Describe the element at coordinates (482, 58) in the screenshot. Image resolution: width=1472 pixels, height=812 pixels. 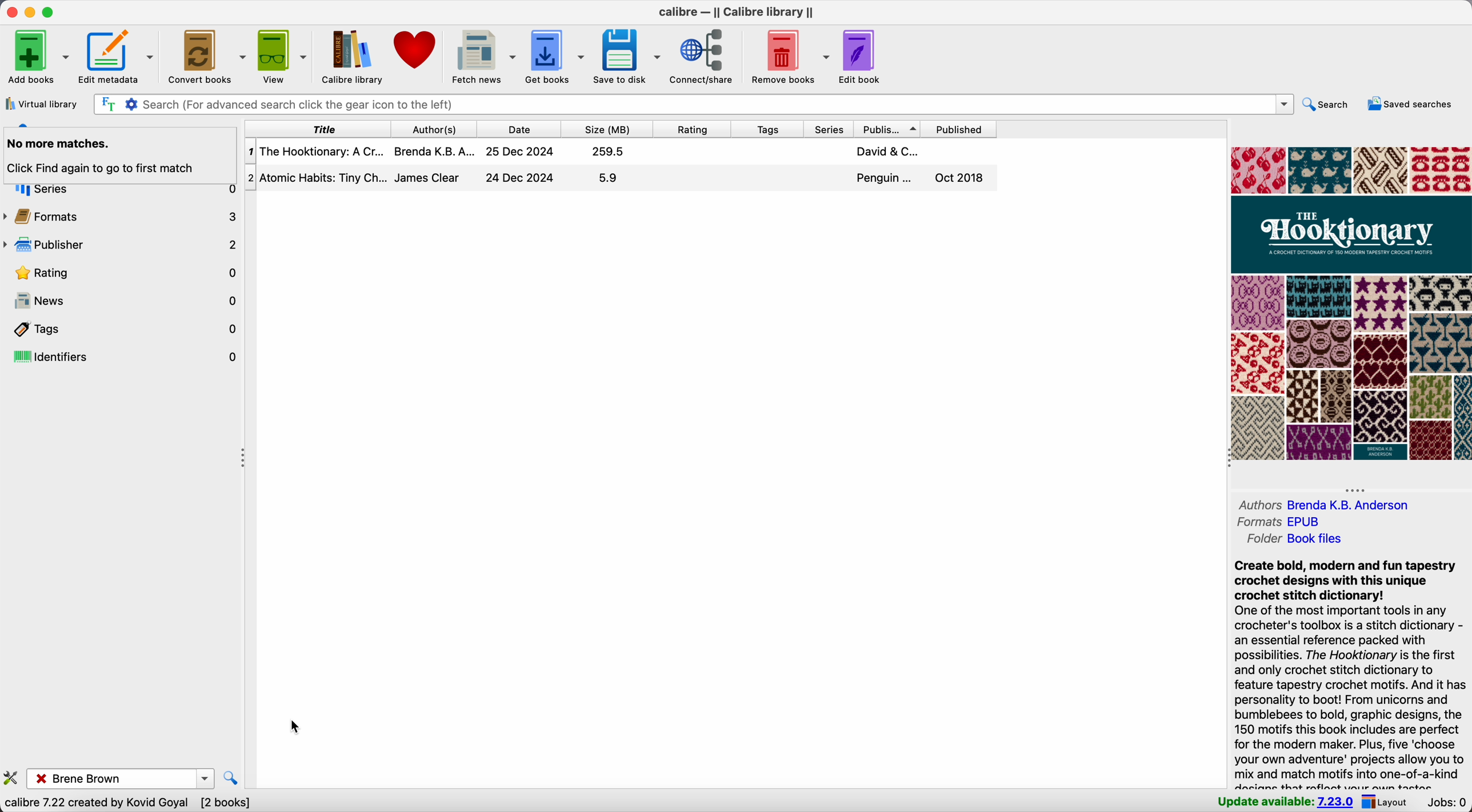
I see `fetch news` at that location.